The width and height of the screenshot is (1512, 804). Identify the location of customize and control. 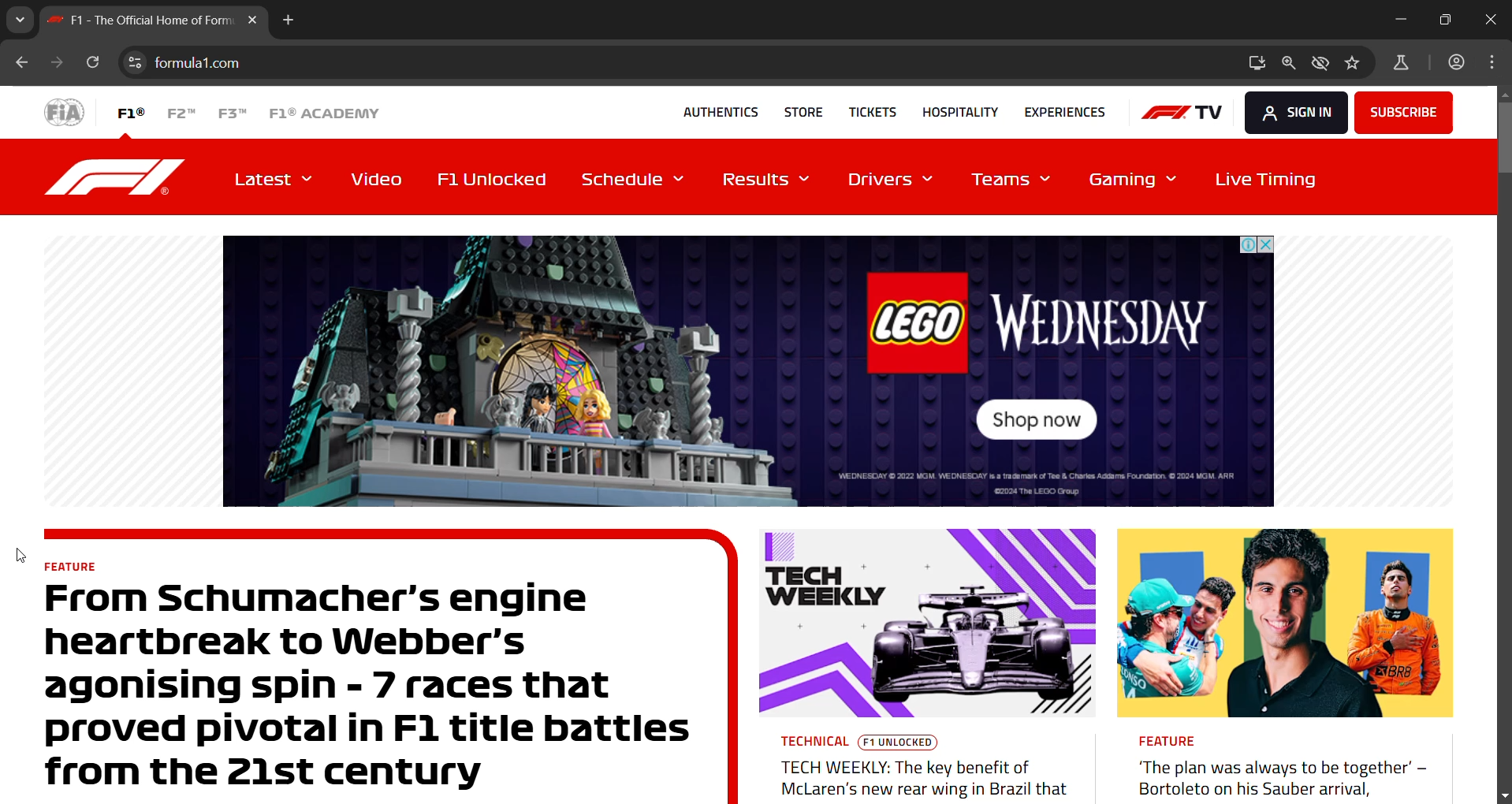
(1496, 62).